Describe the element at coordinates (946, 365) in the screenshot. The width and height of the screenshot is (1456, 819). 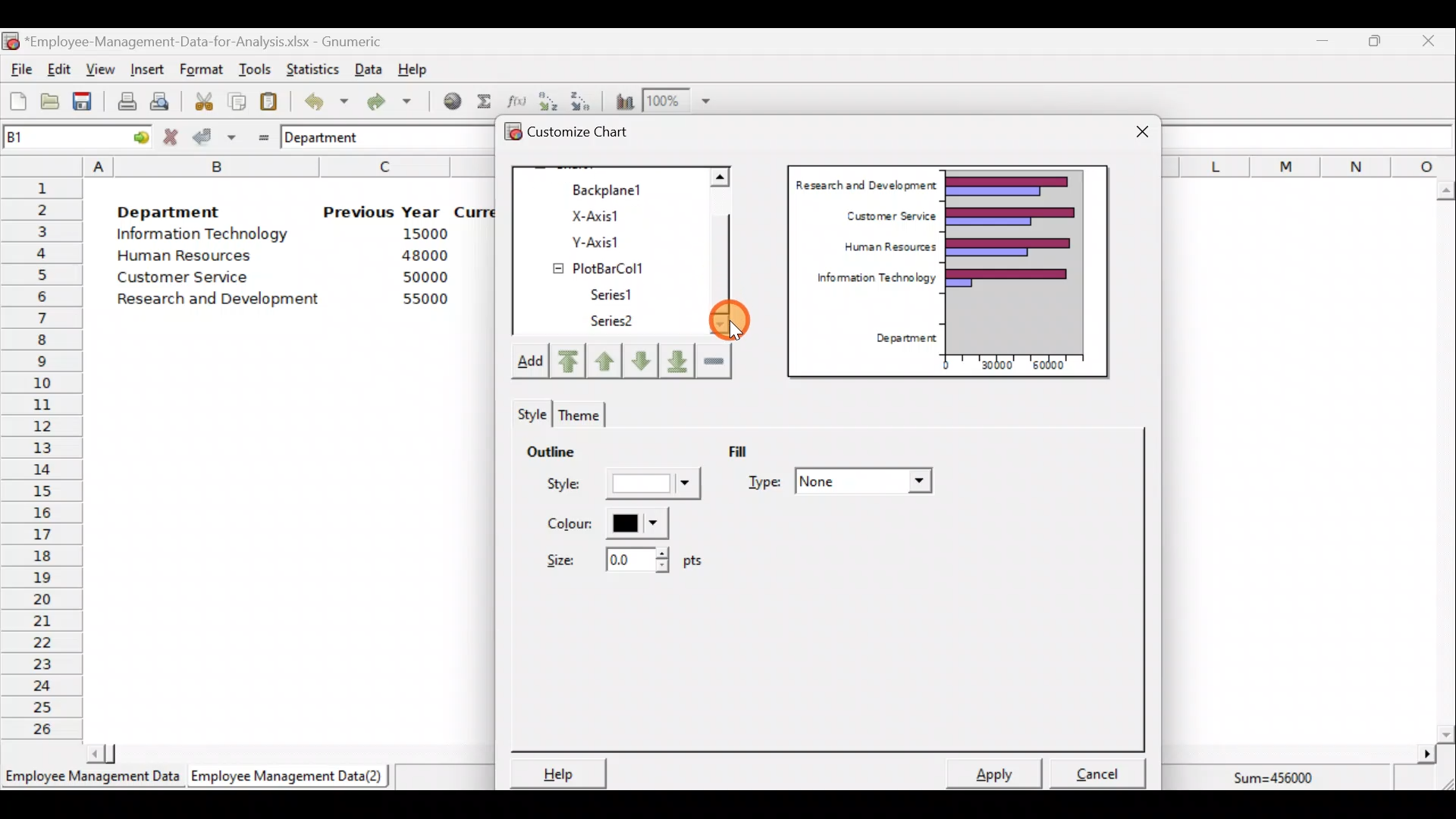
I see `0` at that location.